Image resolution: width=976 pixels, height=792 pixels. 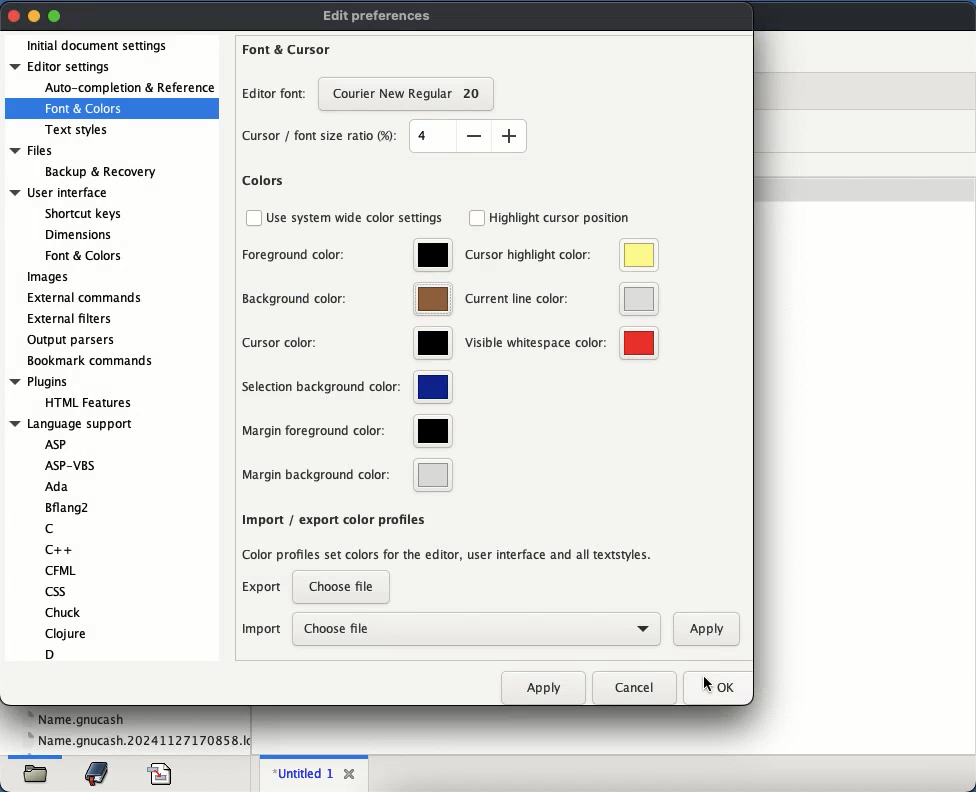 What do you see at coordinates (68, 506) in the screenshot?
I see `Bflang2` at bounding box center [68, 506].